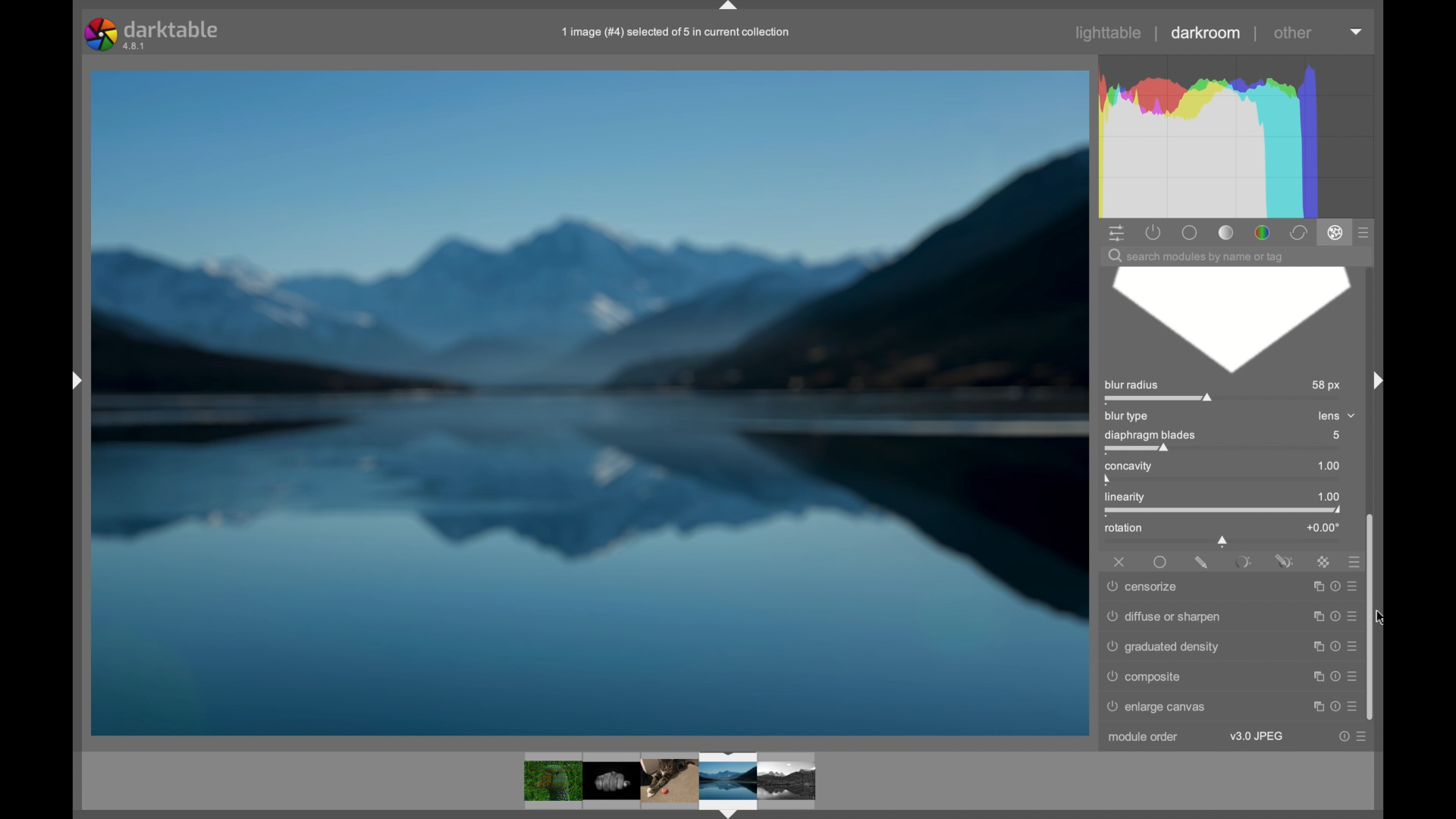 This screenshot has width=1456, height=819. I want to click on Help, so click(1343, 736).